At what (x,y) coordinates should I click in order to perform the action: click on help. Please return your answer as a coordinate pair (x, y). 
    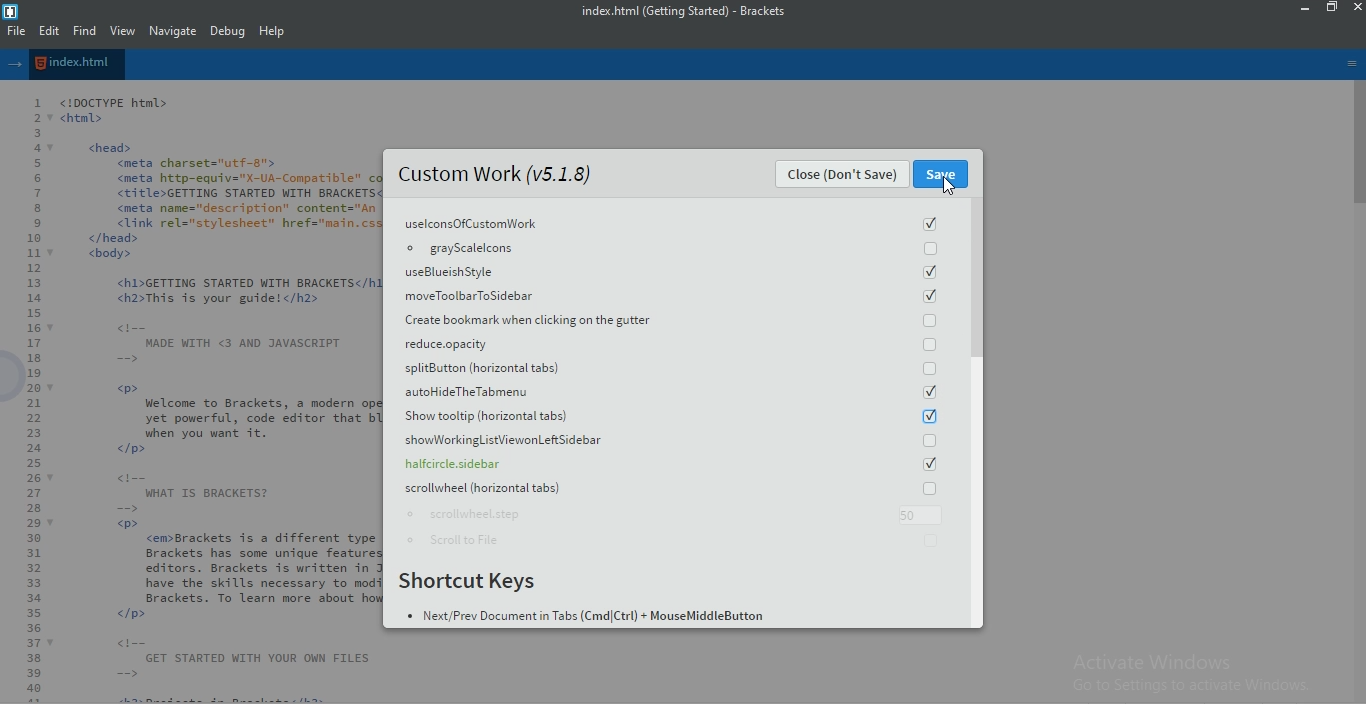
    Looking at the image, I should click on (273, 32).